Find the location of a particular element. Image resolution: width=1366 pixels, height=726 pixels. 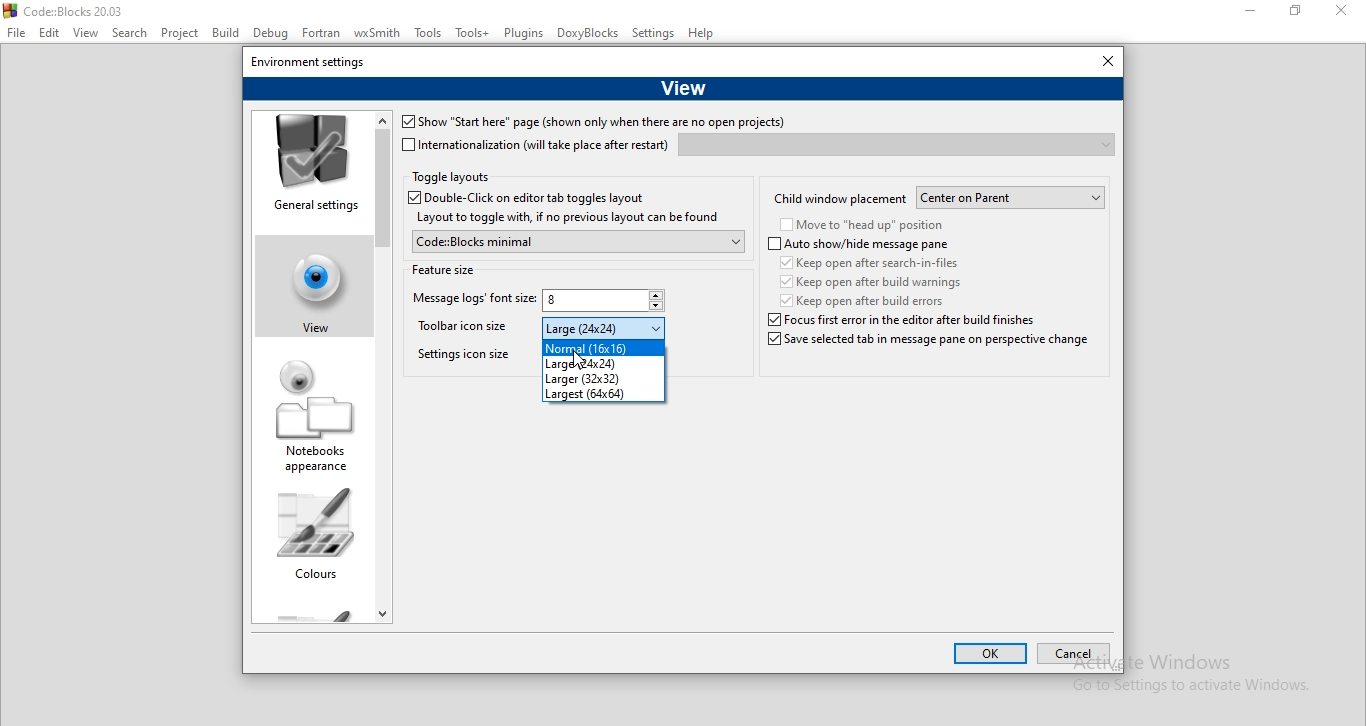

Edit is located at coordinates (49, 33).